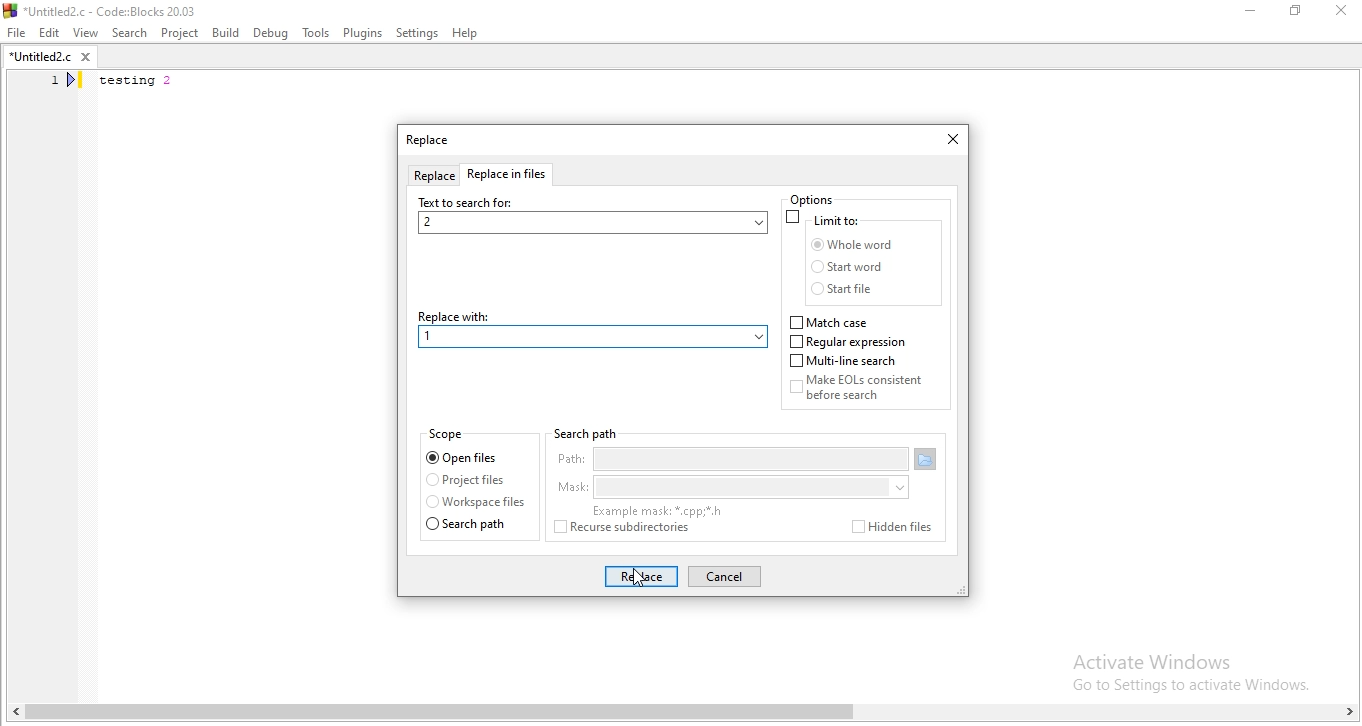  What do you see at coordinates (681, 714) in the screenshot?
I see `scroll bar` at bounding box center [681, 714].